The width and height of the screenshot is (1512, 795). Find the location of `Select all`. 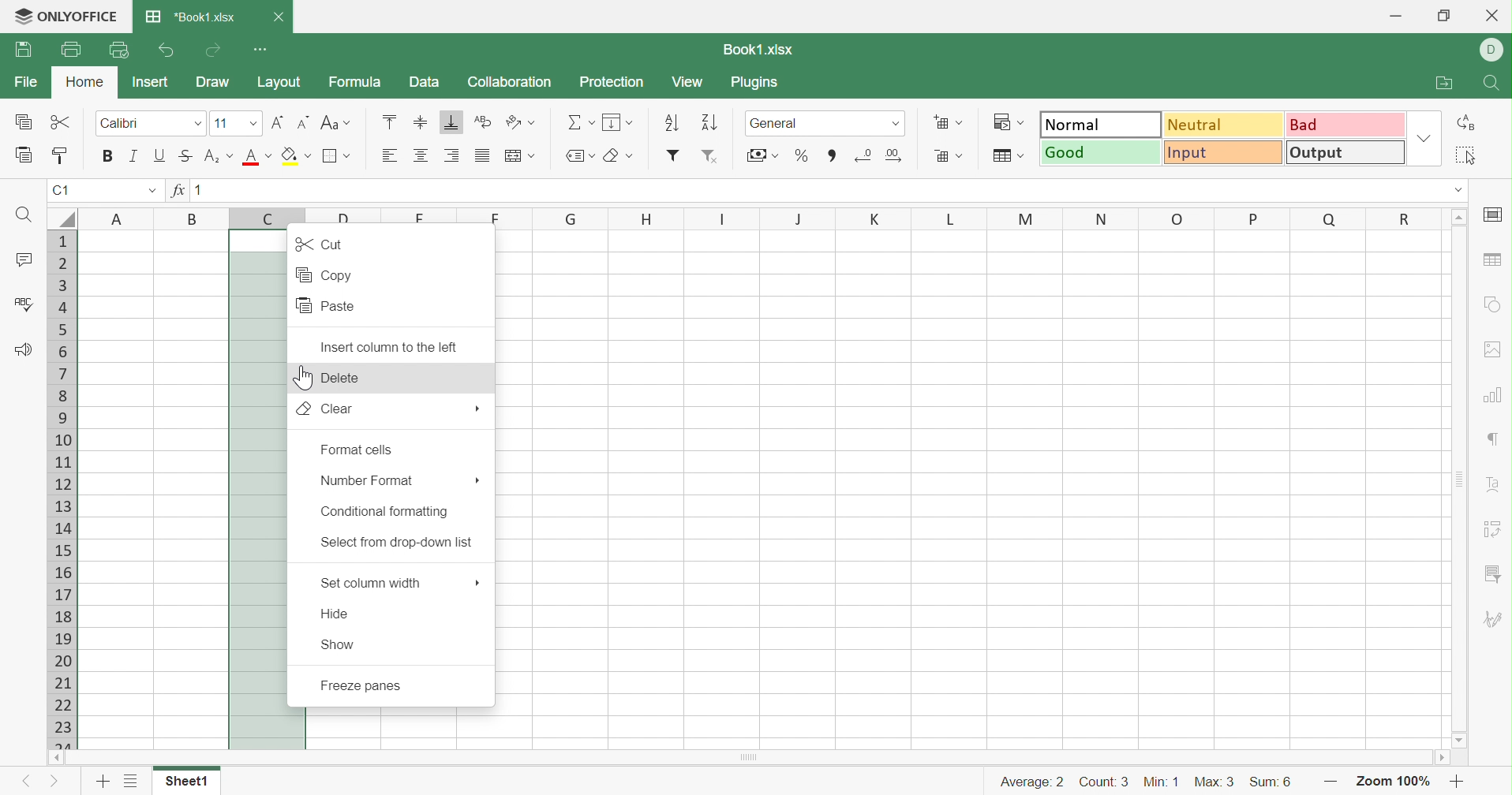

Select all is located at coordinates (1467, 153).